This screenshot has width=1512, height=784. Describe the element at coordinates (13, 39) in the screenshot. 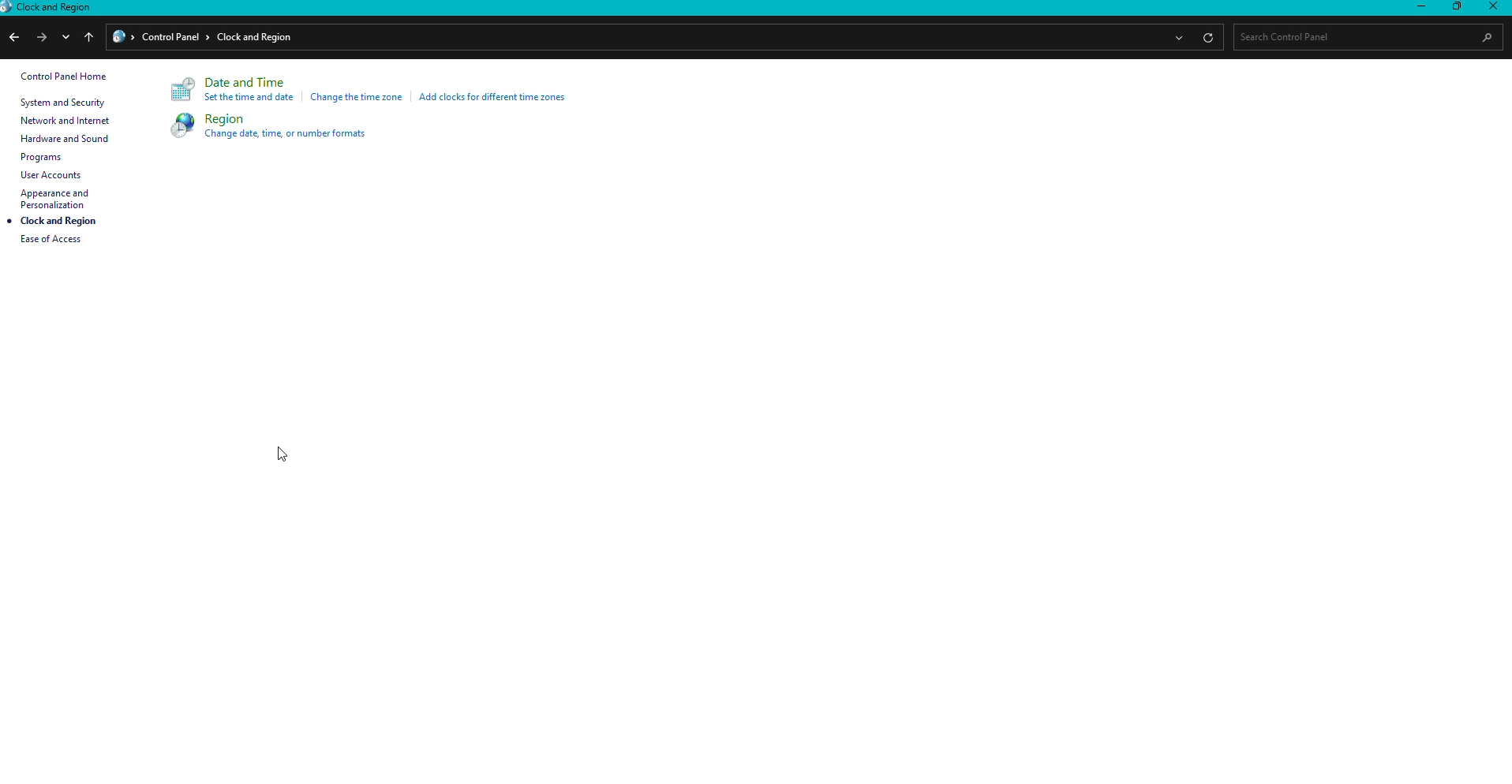

I see `previous` at that location.